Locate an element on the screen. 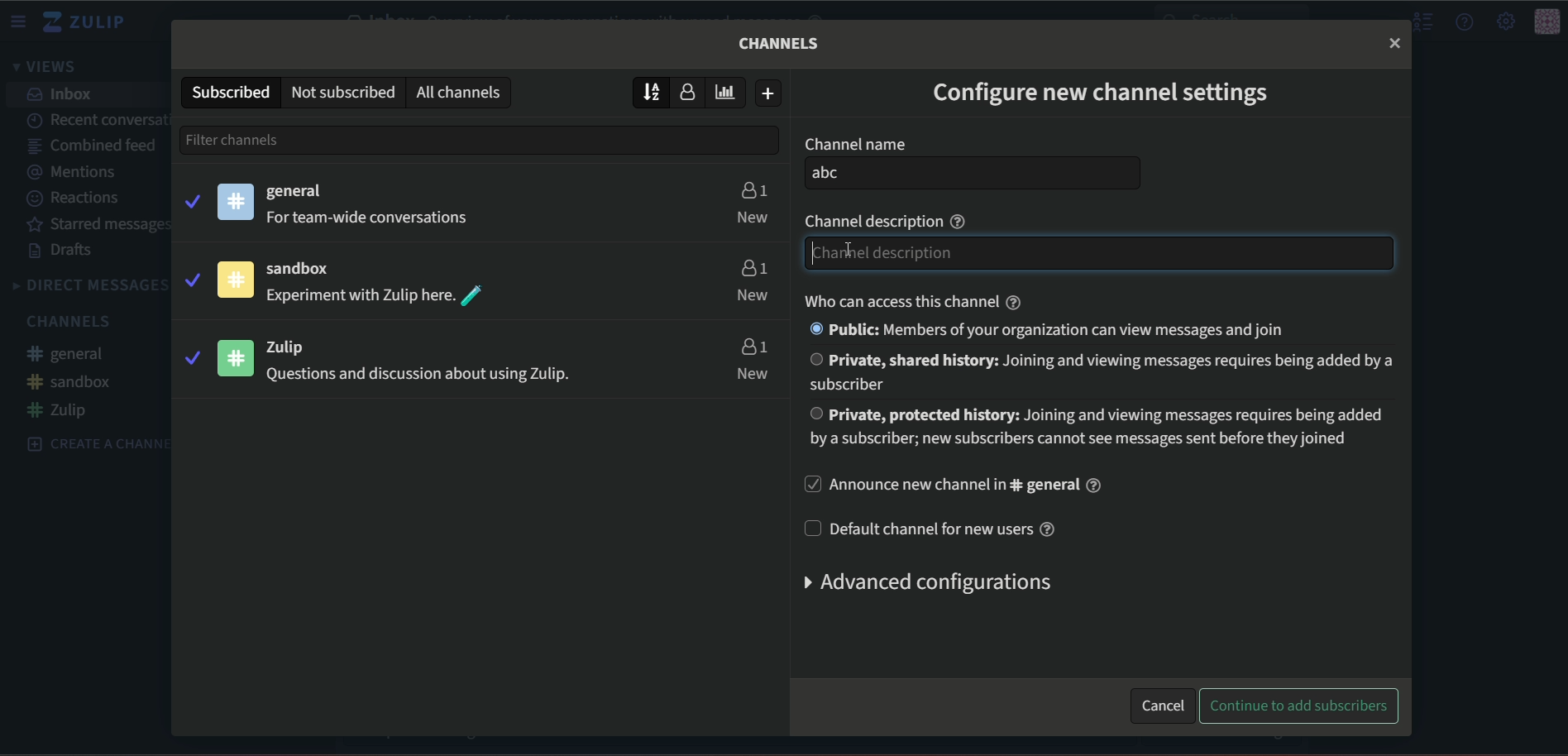 The width and height of the screenshot is (1568, 756). experience with zulip here is located at coordinates (377, 296).